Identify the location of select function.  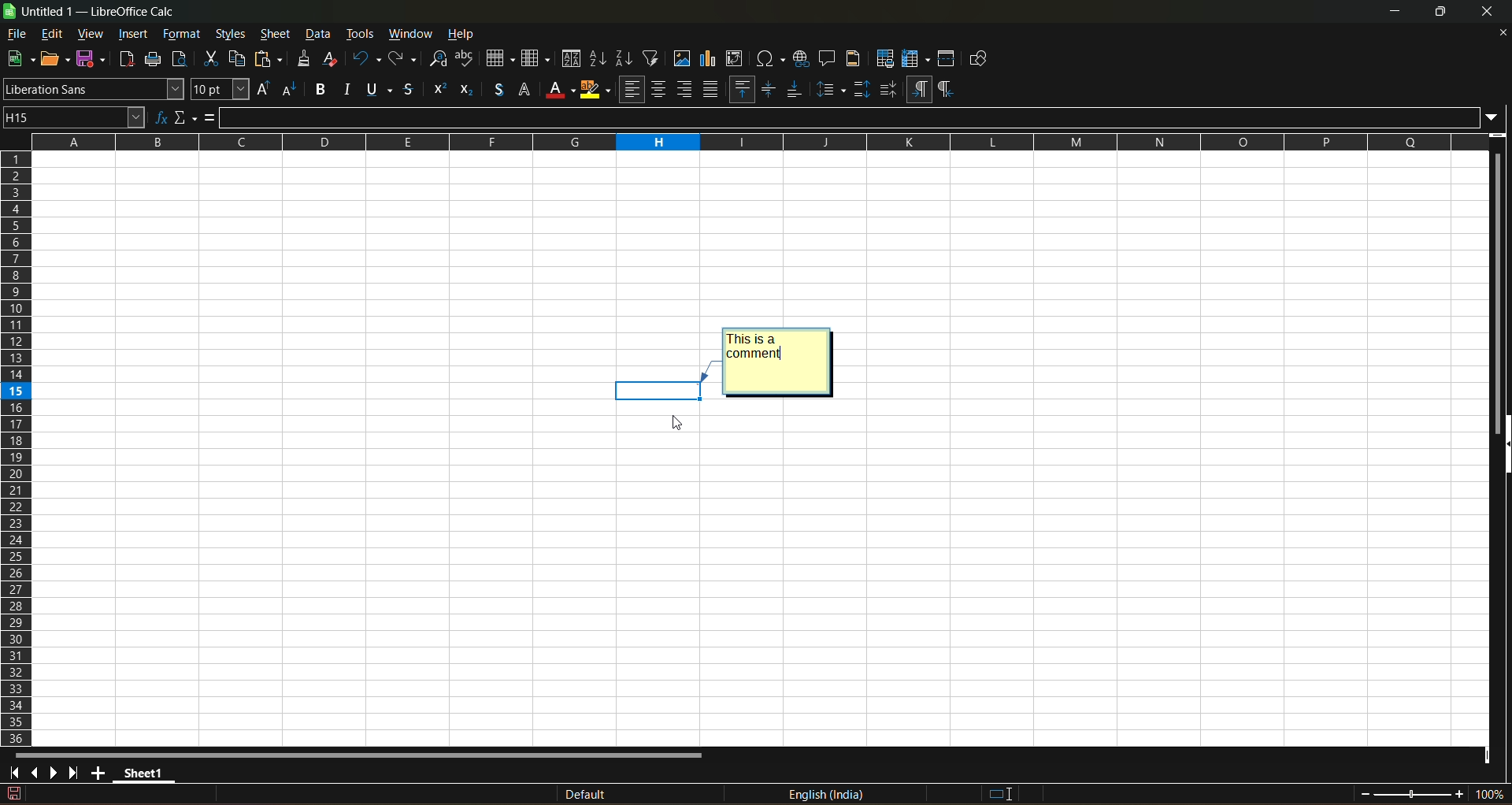
(185, 117).